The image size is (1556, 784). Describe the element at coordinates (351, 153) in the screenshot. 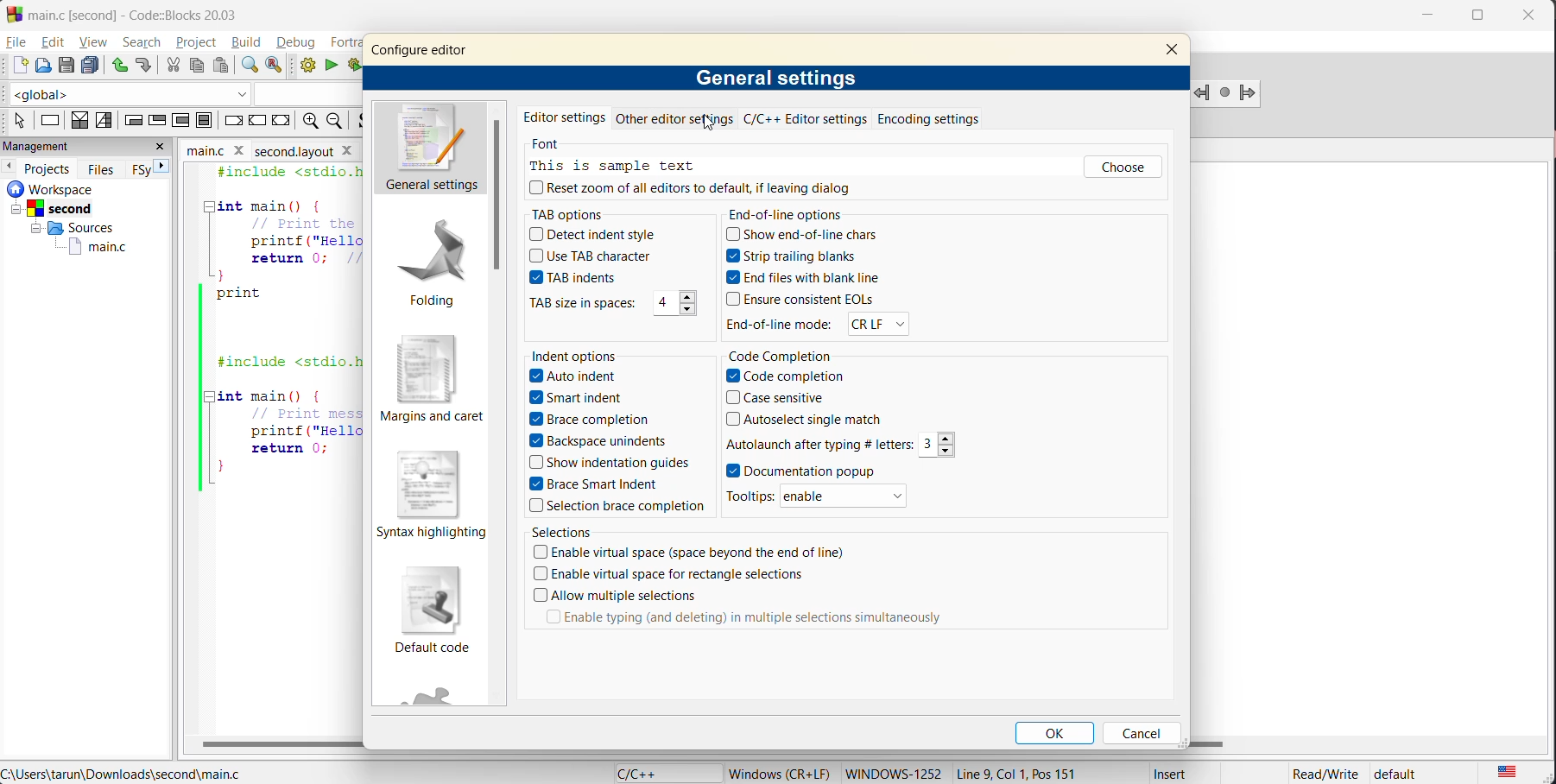

I see `close` at that location.